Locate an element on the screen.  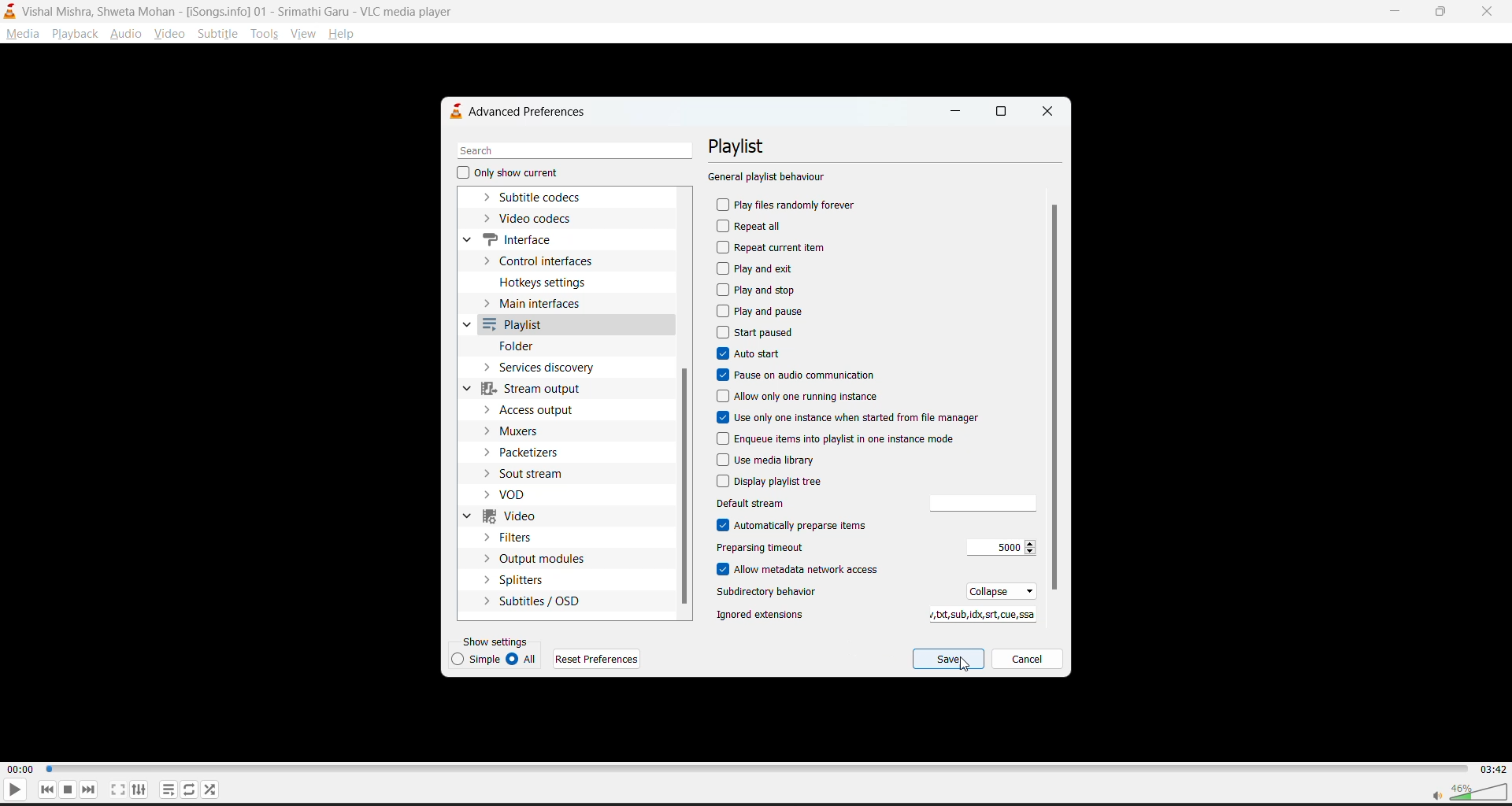
automatically preparse items is located at coordinates (794, 526).